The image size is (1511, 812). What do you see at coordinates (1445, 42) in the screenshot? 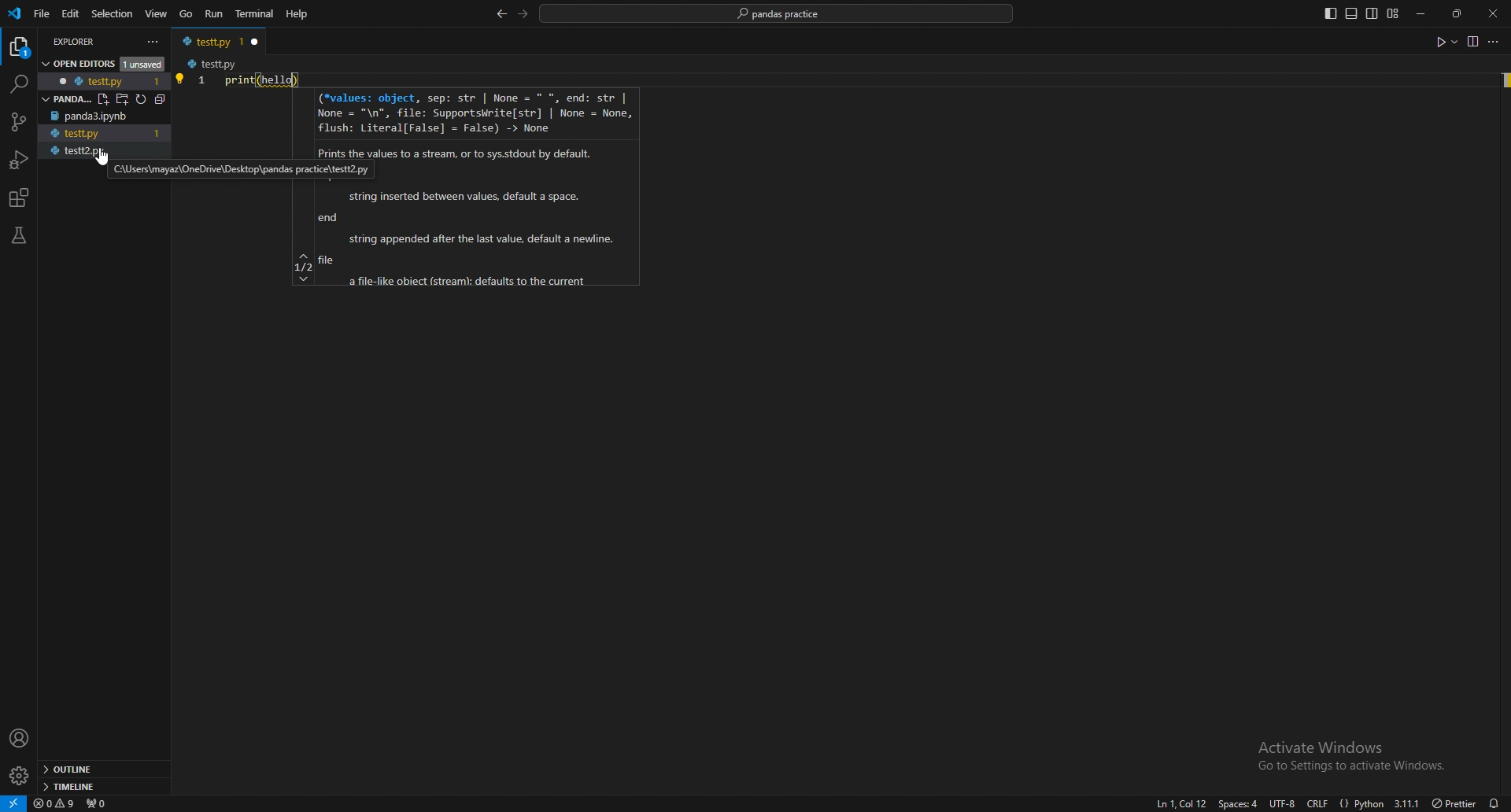
I see `run code ` at bounding box center [1445, 42].